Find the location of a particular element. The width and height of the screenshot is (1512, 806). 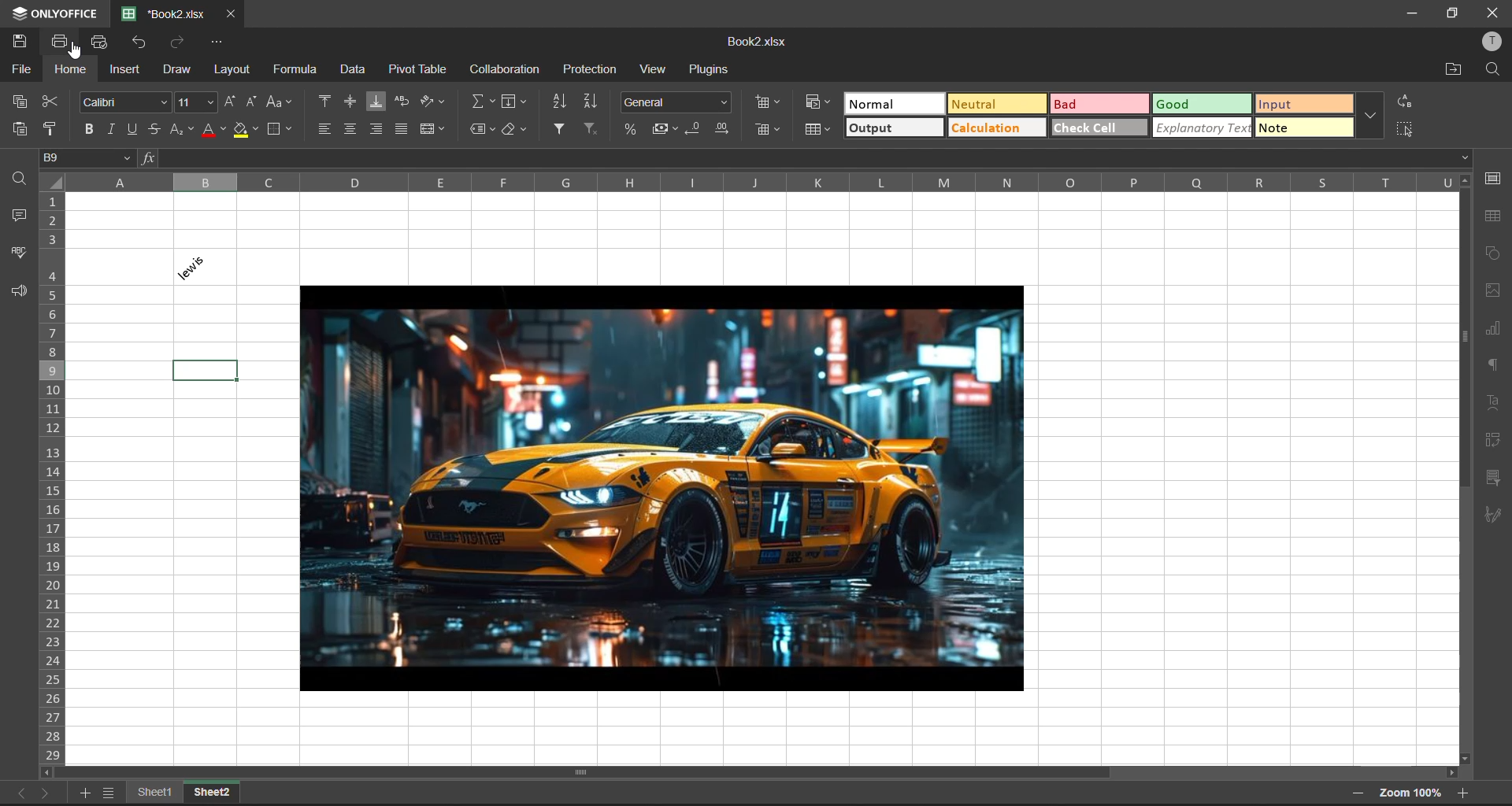

paste is located at coordinates (14, 129).